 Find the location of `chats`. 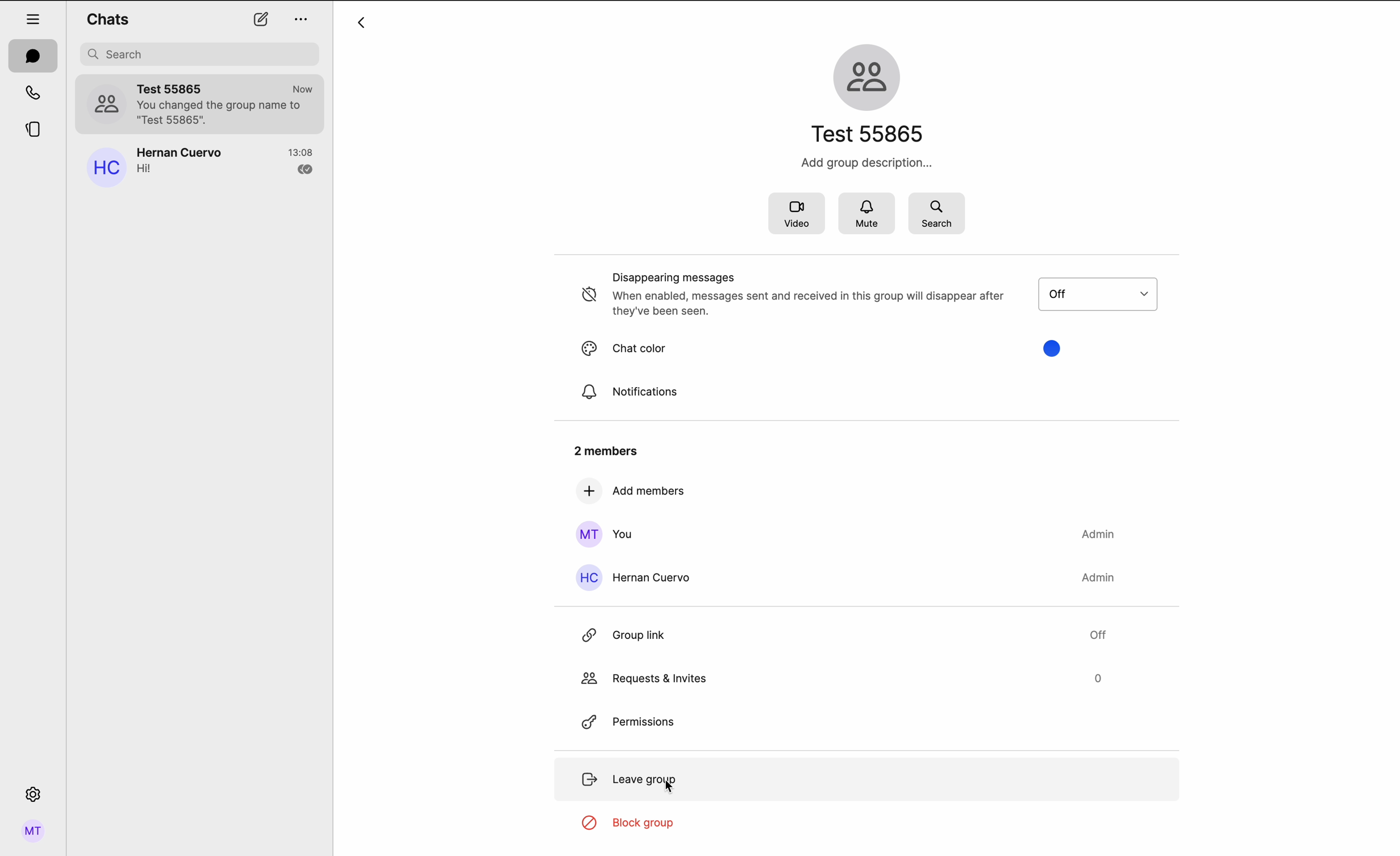

chats is located at coordinates (107, 18).